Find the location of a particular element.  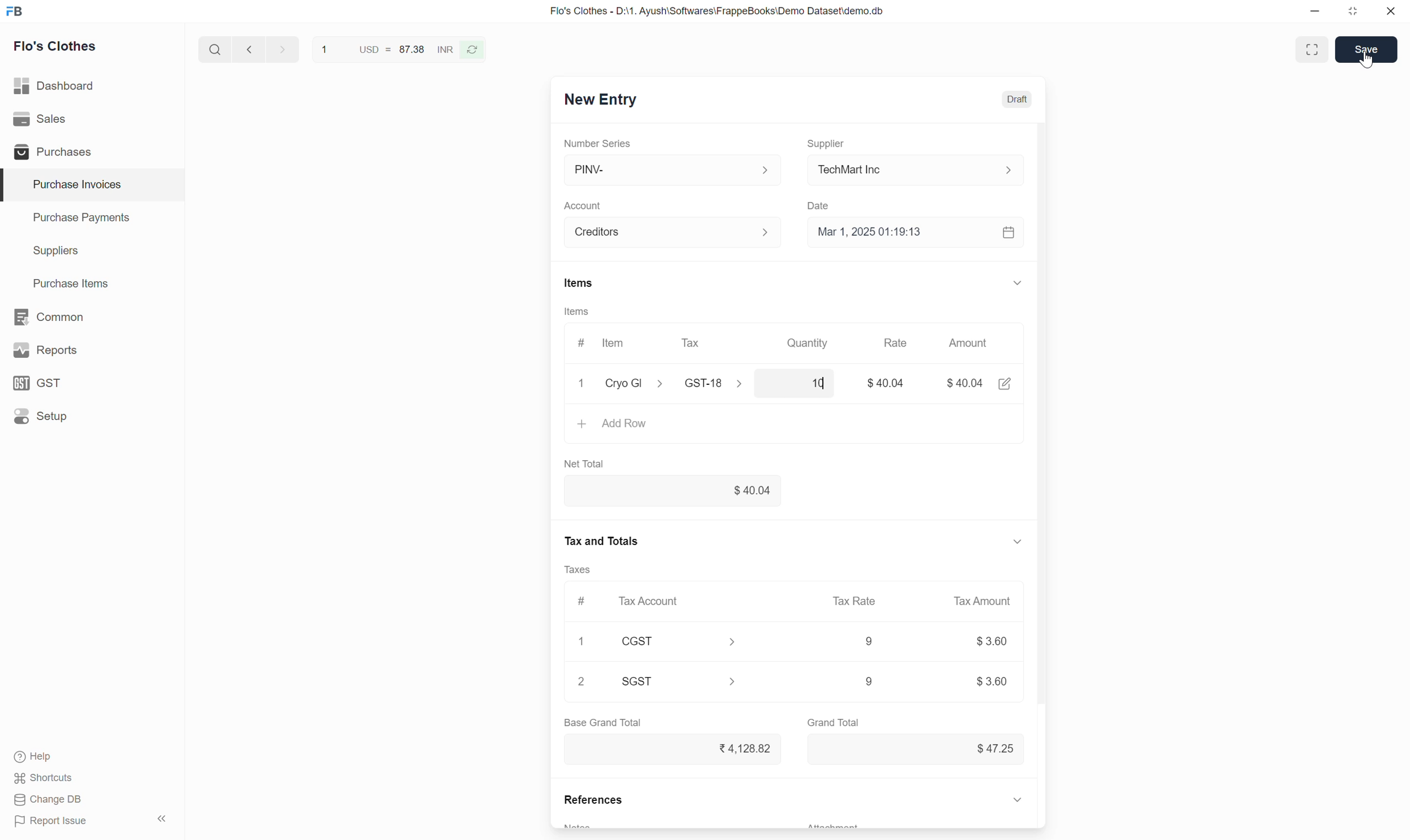

Suppliers is located at coordinates (48, 251).